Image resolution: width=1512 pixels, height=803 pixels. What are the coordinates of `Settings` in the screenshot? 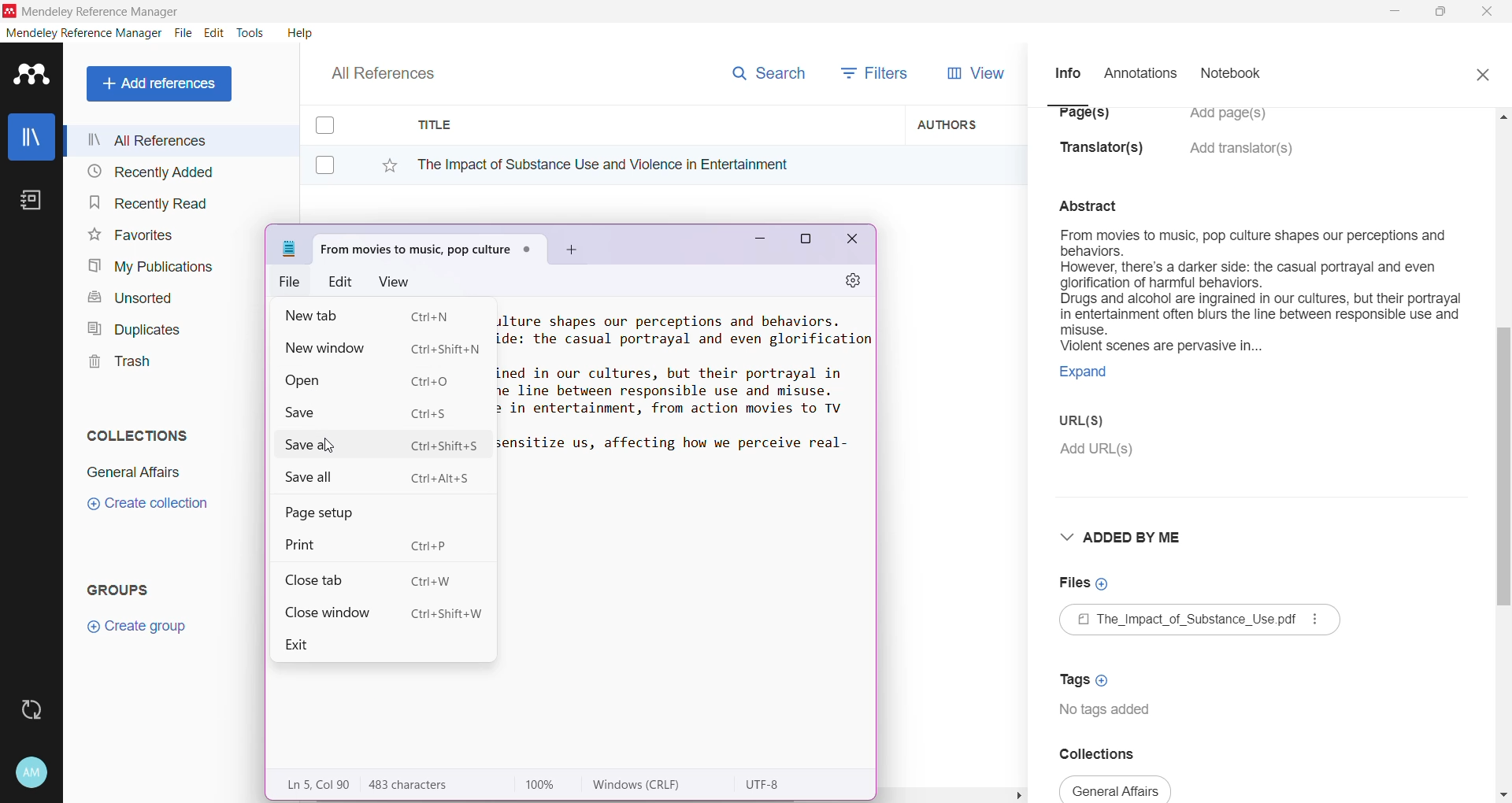 It's located at (847, 282).